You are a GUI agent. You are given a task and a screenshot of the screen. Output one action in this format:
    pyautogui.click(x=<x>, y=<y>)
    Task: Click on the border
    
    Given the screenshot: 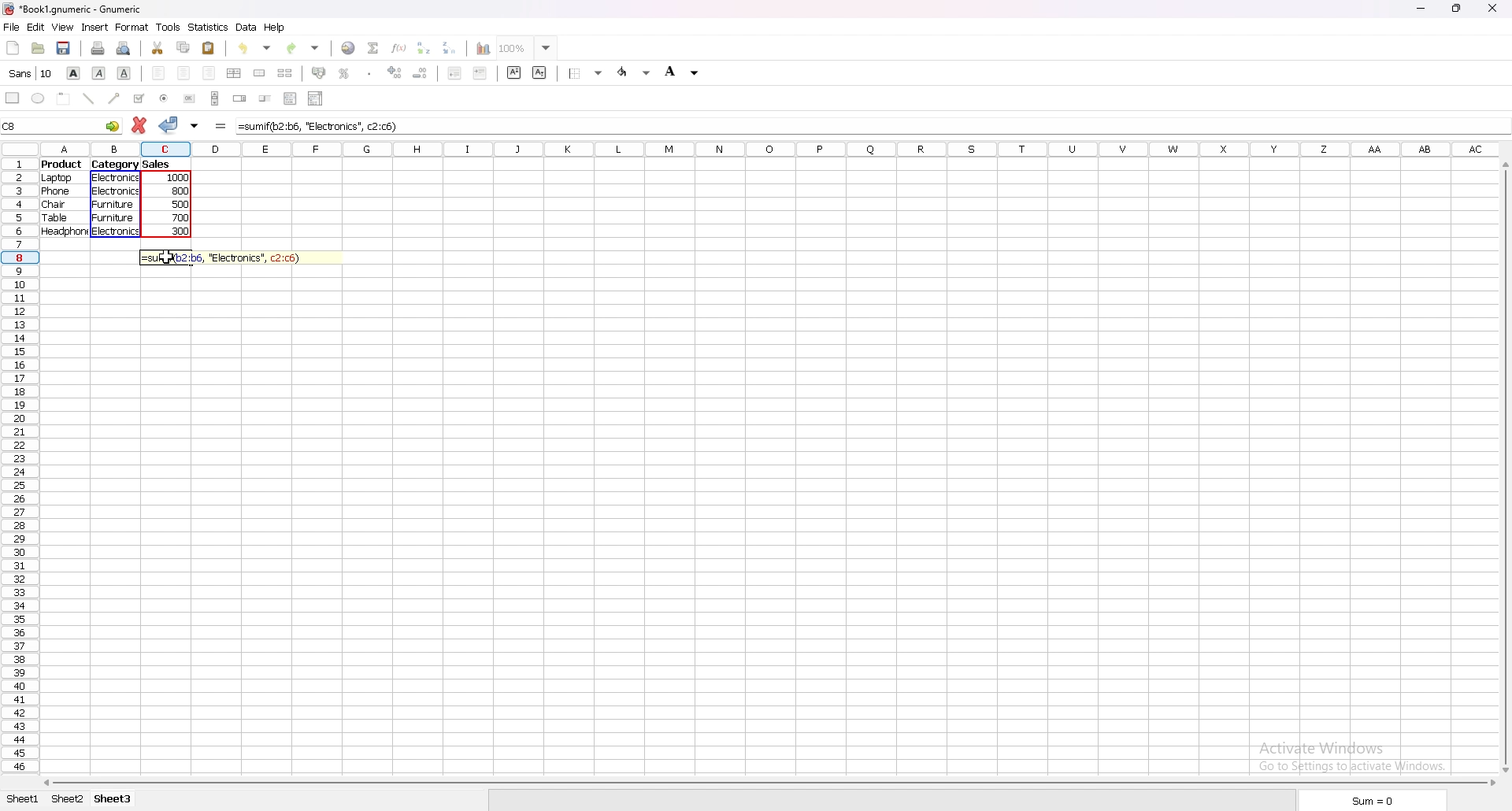 What is the action you would take?
    pyautogui.click(x=587, y=72)
    